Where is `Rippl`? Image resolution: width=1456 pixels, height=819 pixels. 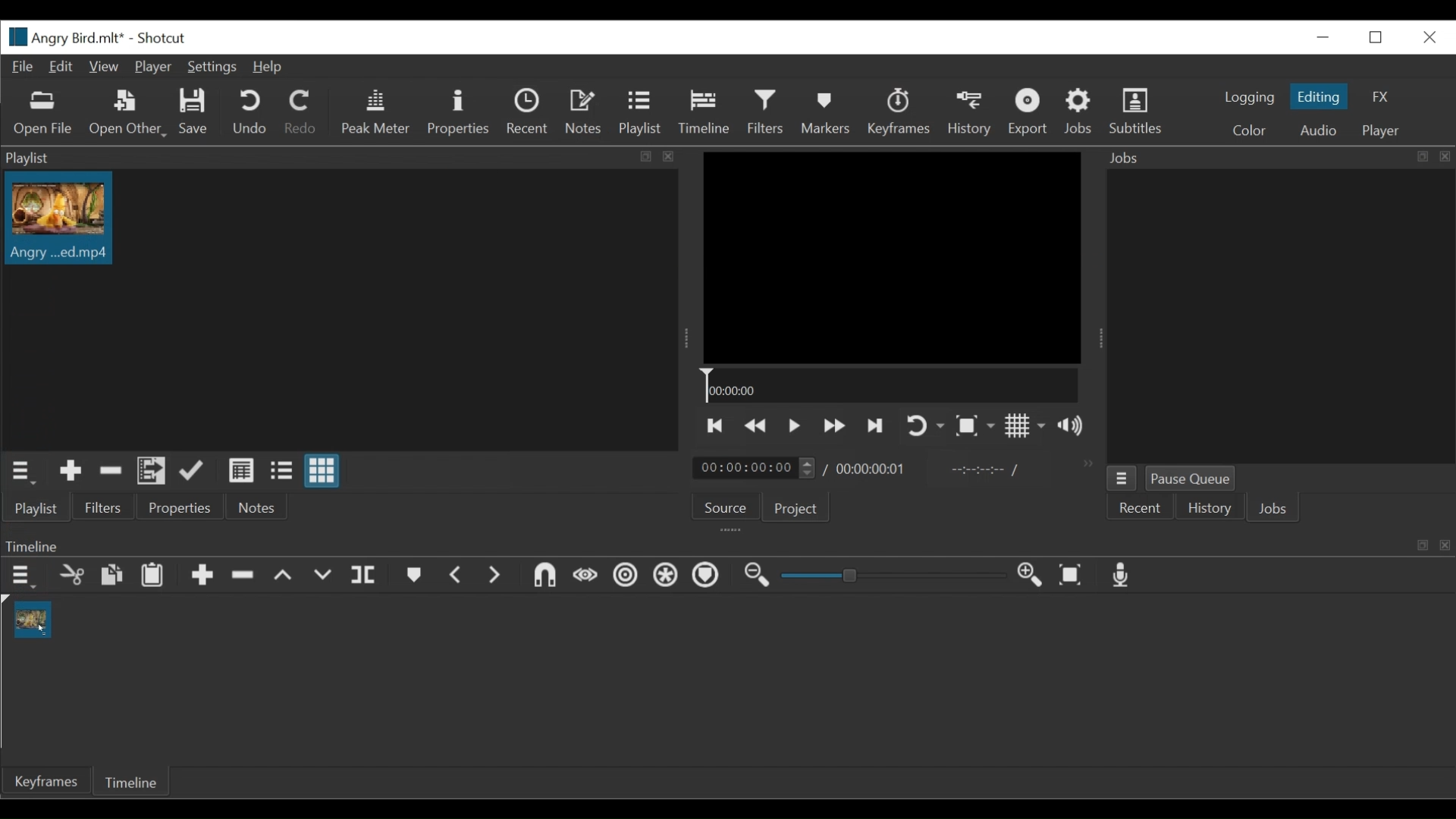 Rippl is located at coordinates (629, 577).